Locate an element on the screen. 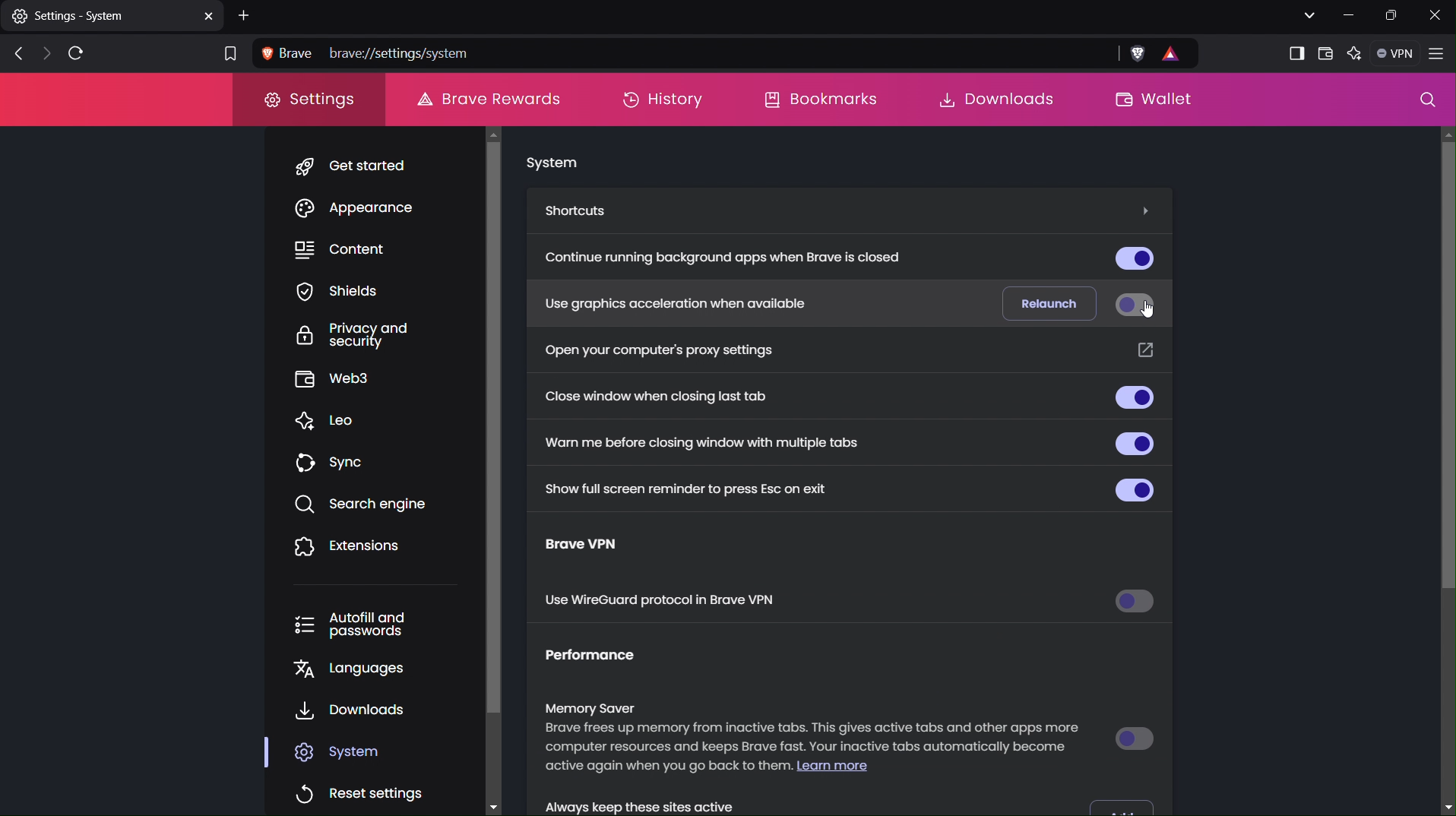 This screenshot has width=1456, height=816. Button is located at coordinates (1133, 399).